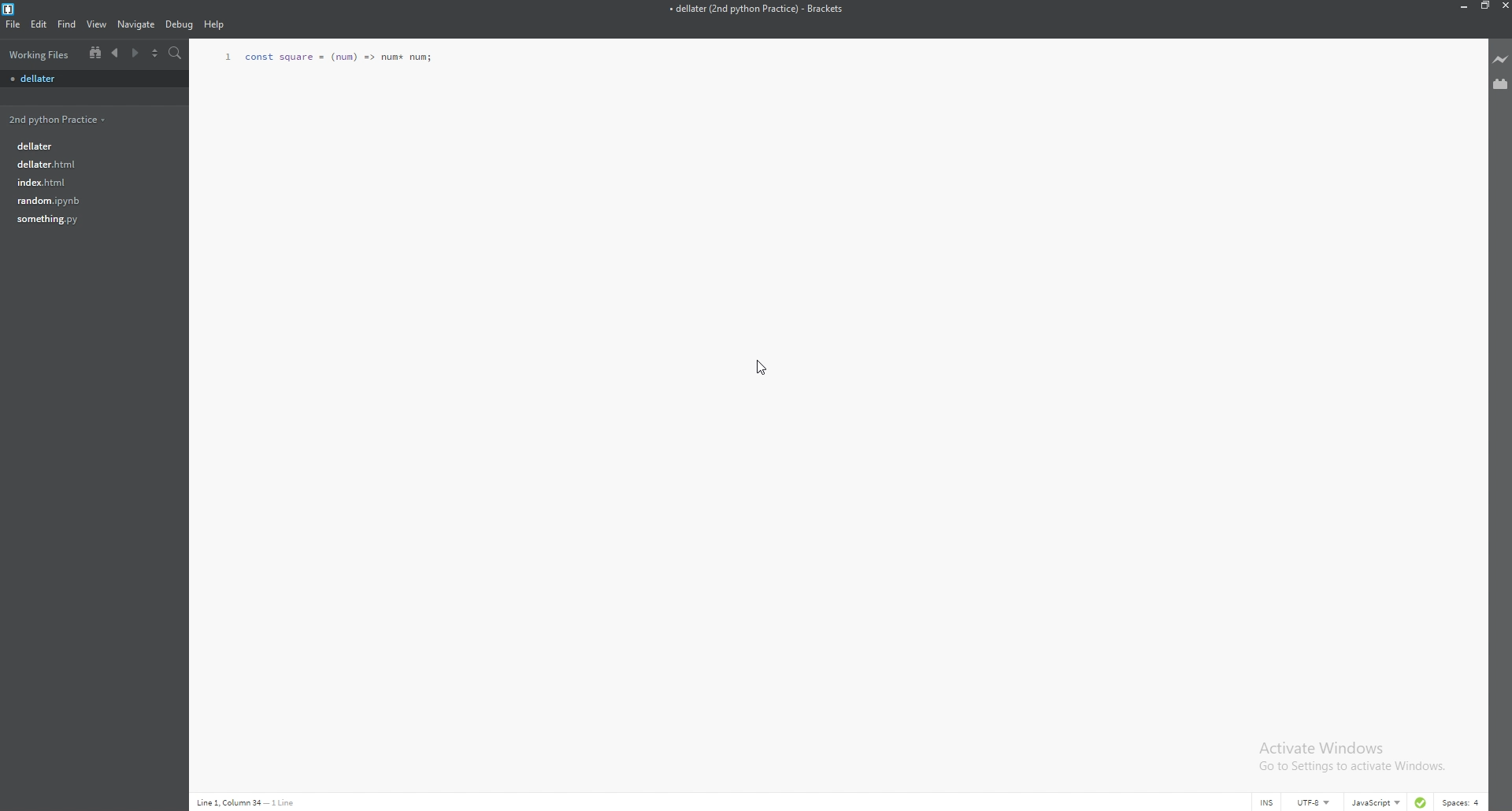 Image resolution: width=1512 pixels, height=811 pixels. What do you see at coordinates (13, 24) in the screenshot?
I see `file` at bounding box center [13, 24].